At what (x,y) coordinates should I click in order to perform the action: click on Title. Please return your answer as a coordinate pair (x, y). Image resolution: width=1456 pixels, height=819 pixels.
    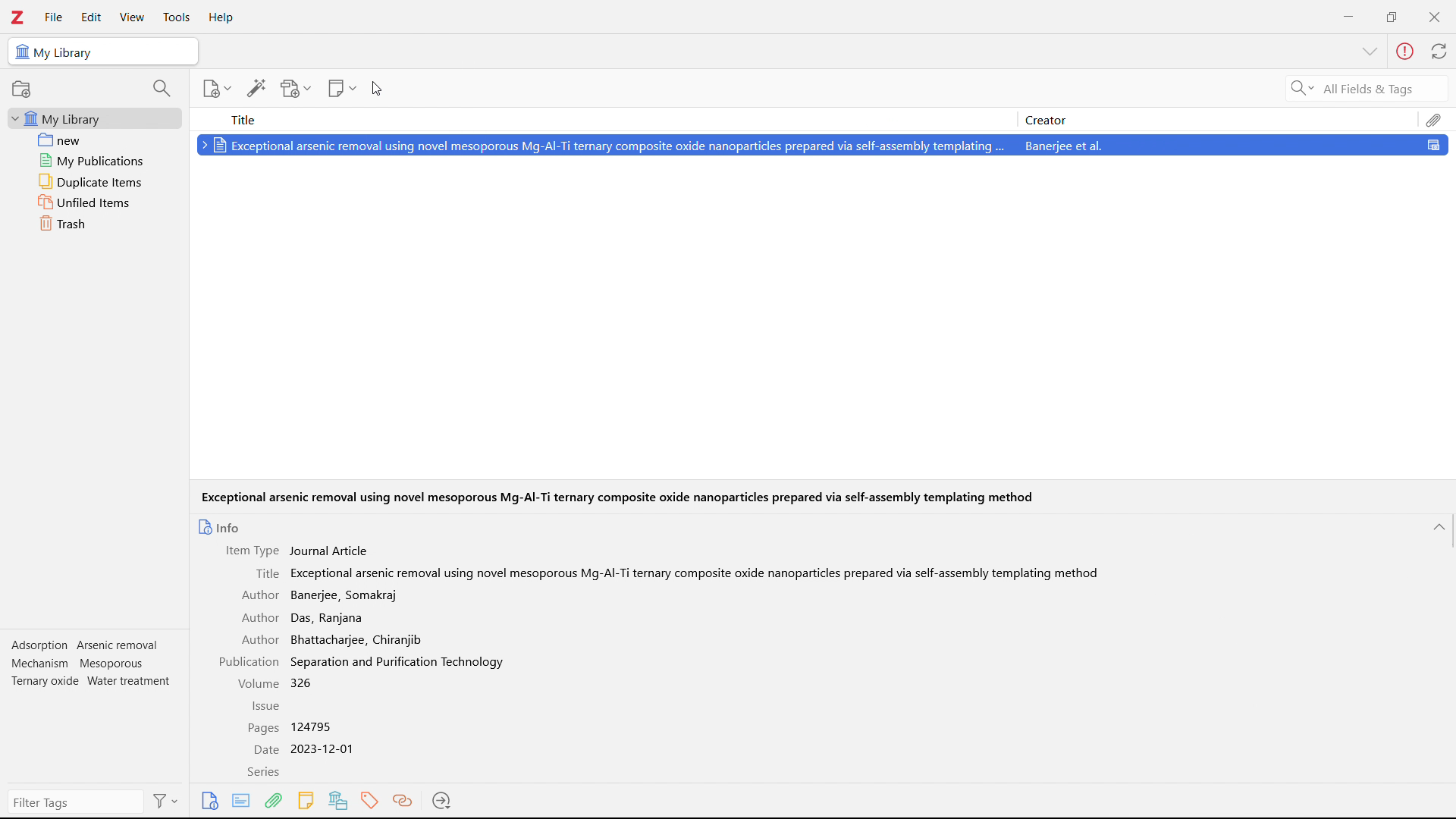
    Looking at the image, I should click on (265, 573).